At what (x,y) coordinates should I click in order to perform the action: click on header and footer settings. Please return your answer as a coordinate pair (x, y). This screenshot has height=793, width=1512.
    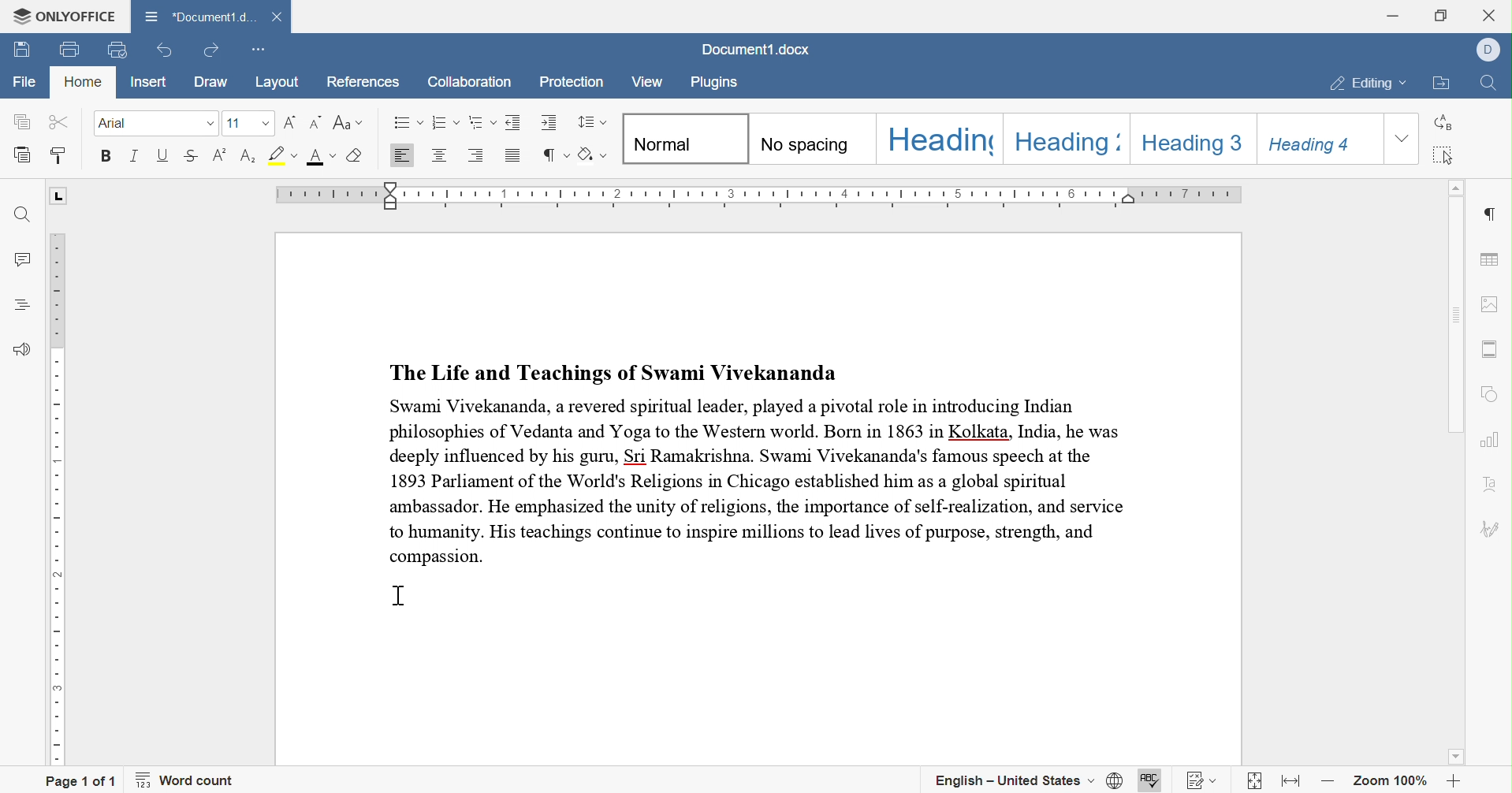
    Looking at the image, I should click on (1488, 349).